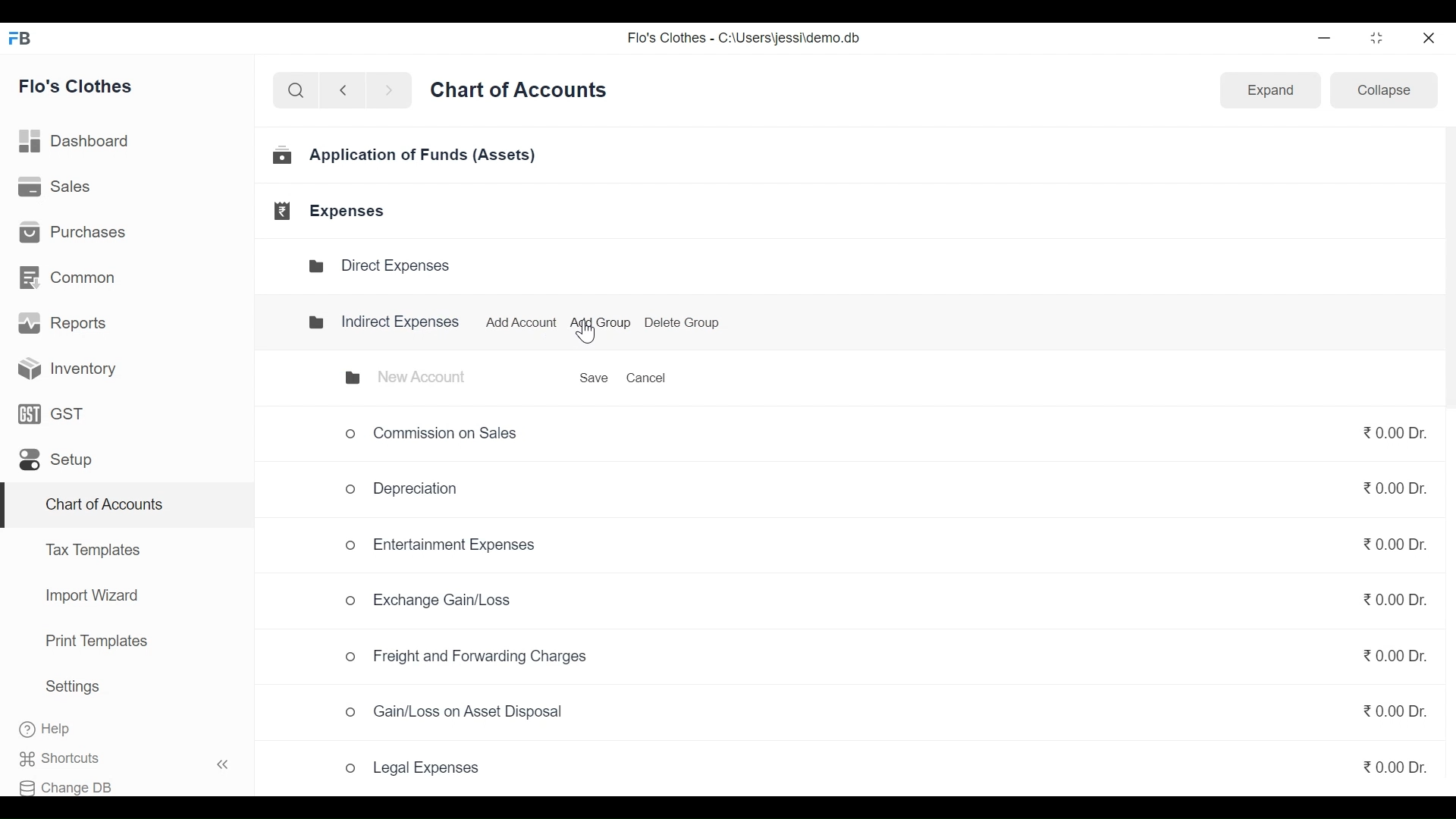  What do you see at coordinates (682, 322) in the screenshot?
I see `Delete Group` at bounding box center [682, 322].